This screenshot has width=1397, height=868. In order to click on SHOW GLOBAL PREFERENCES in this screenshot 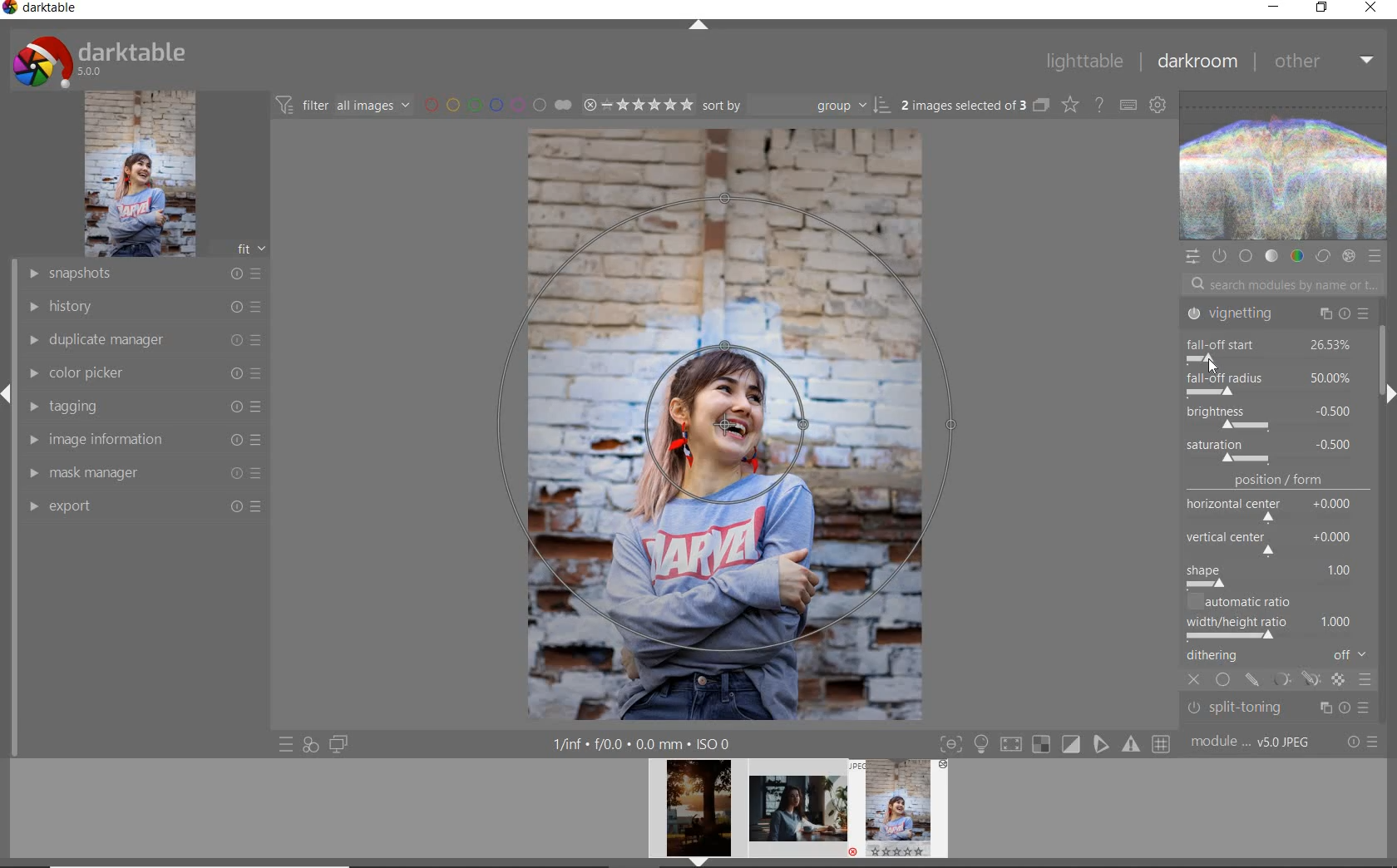, I will do `click(1156, 104)`.